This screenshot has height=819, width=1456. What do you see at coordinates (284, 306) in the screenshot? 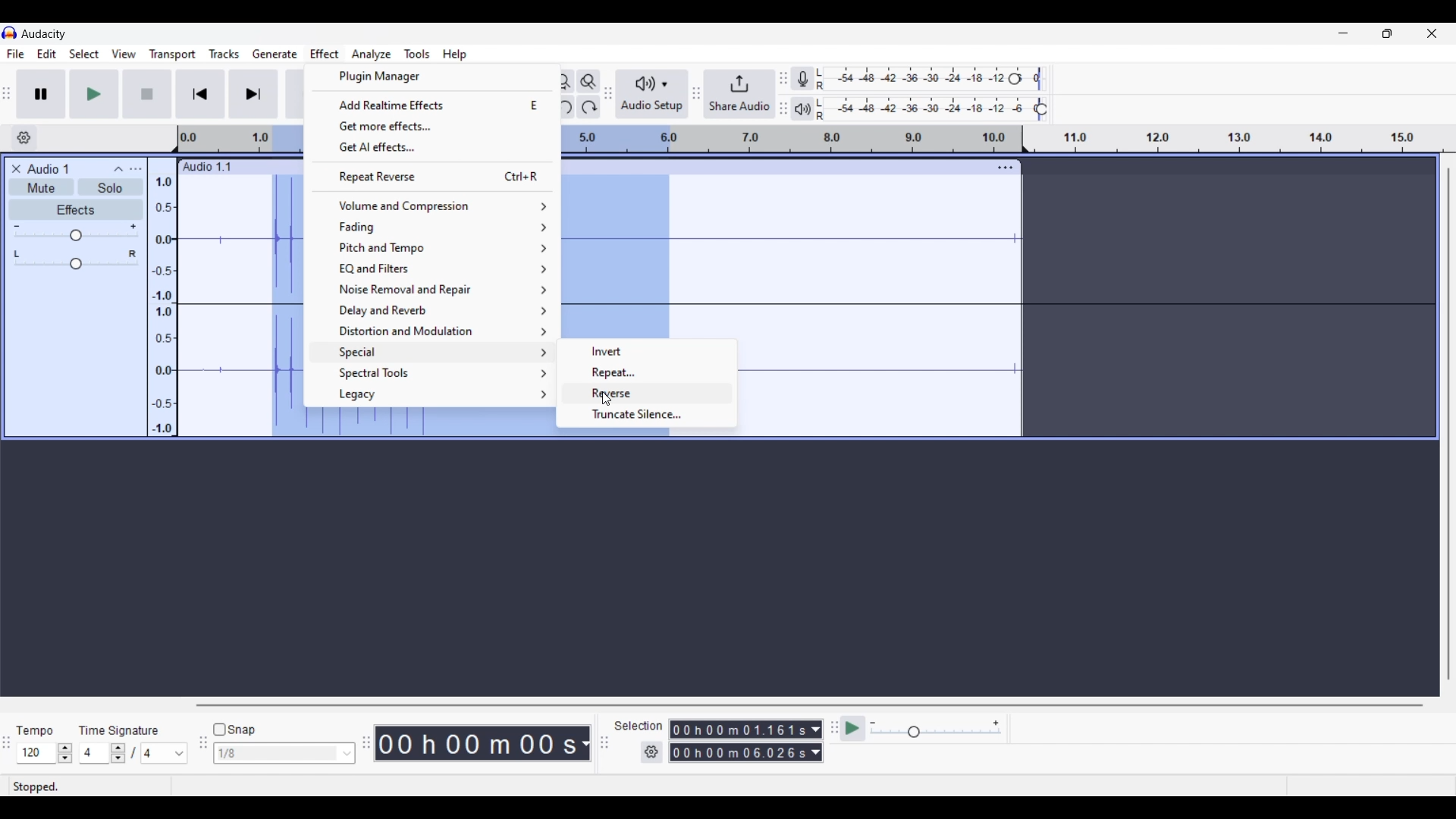
I see `Portion of recorded audio track selected` at bounding box center [284, 306].